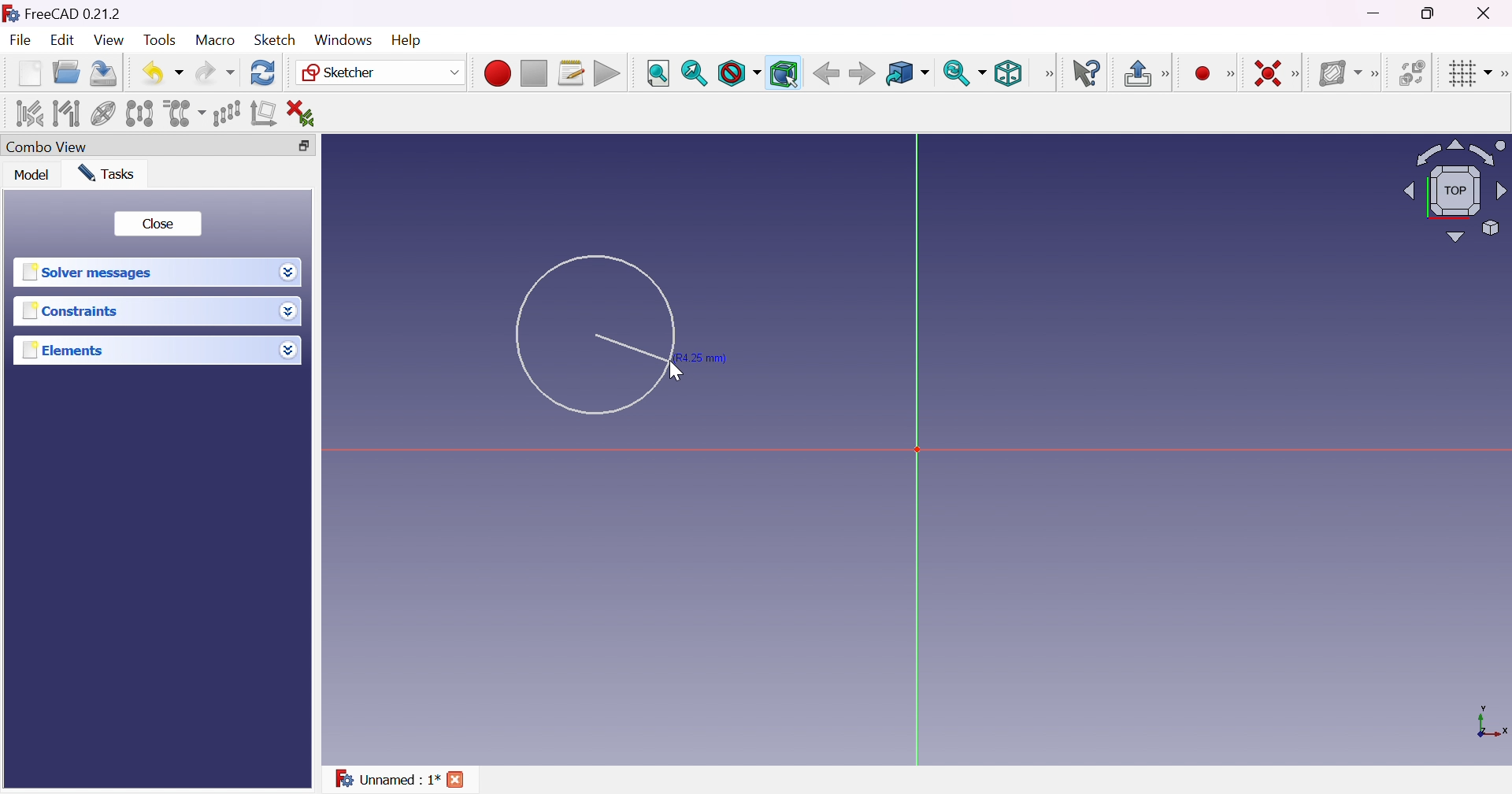 This screenshot has height=794, width=1512. Describe the element at coordinates (65, 350) in the screenshot. I see `Elements` at that location.